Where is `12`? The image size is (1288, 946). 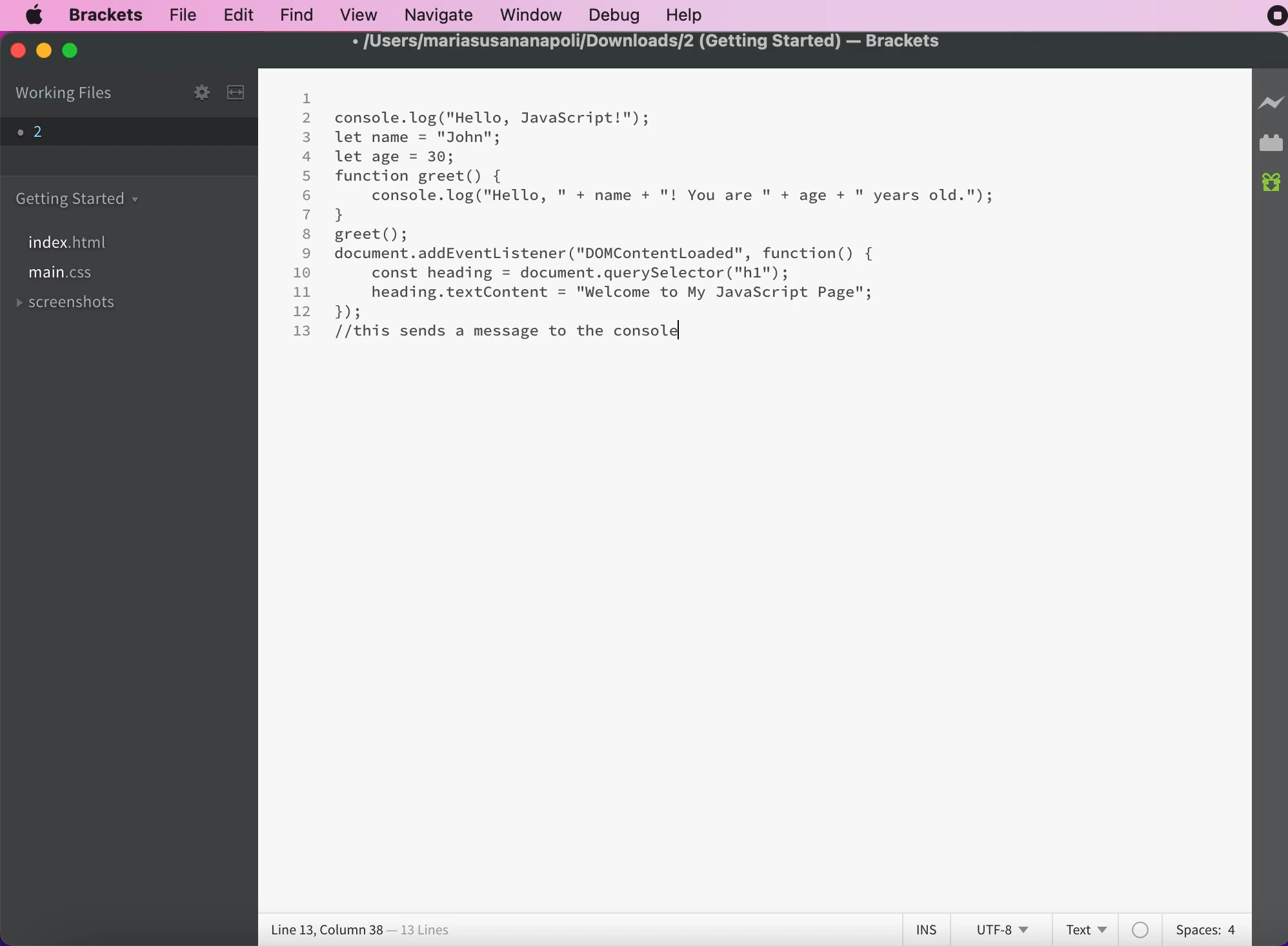
12 is located at coordinates (302, 311).